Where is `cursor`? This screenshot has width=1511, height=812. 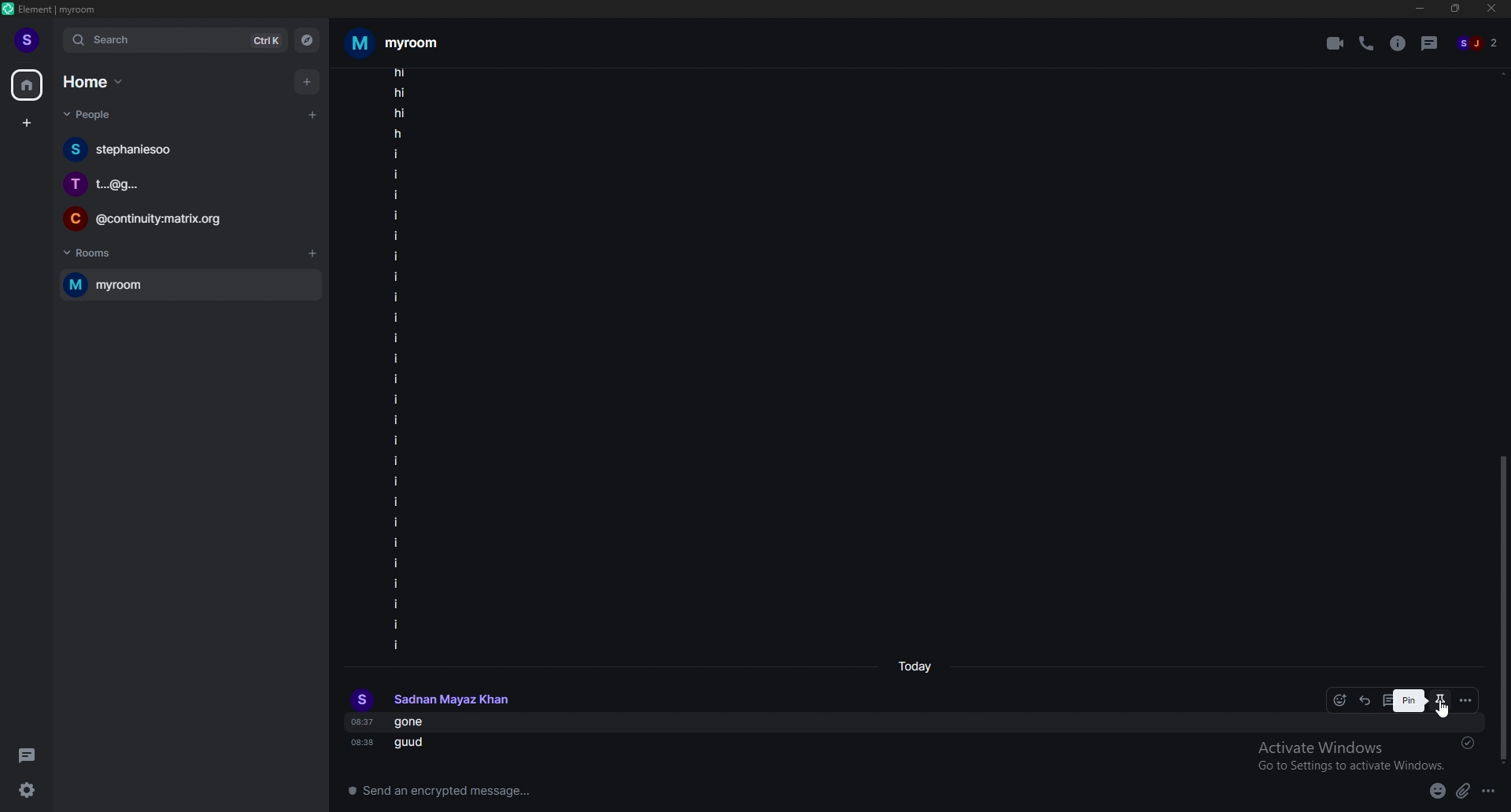
cursor is located at coordinates (1449, 715).